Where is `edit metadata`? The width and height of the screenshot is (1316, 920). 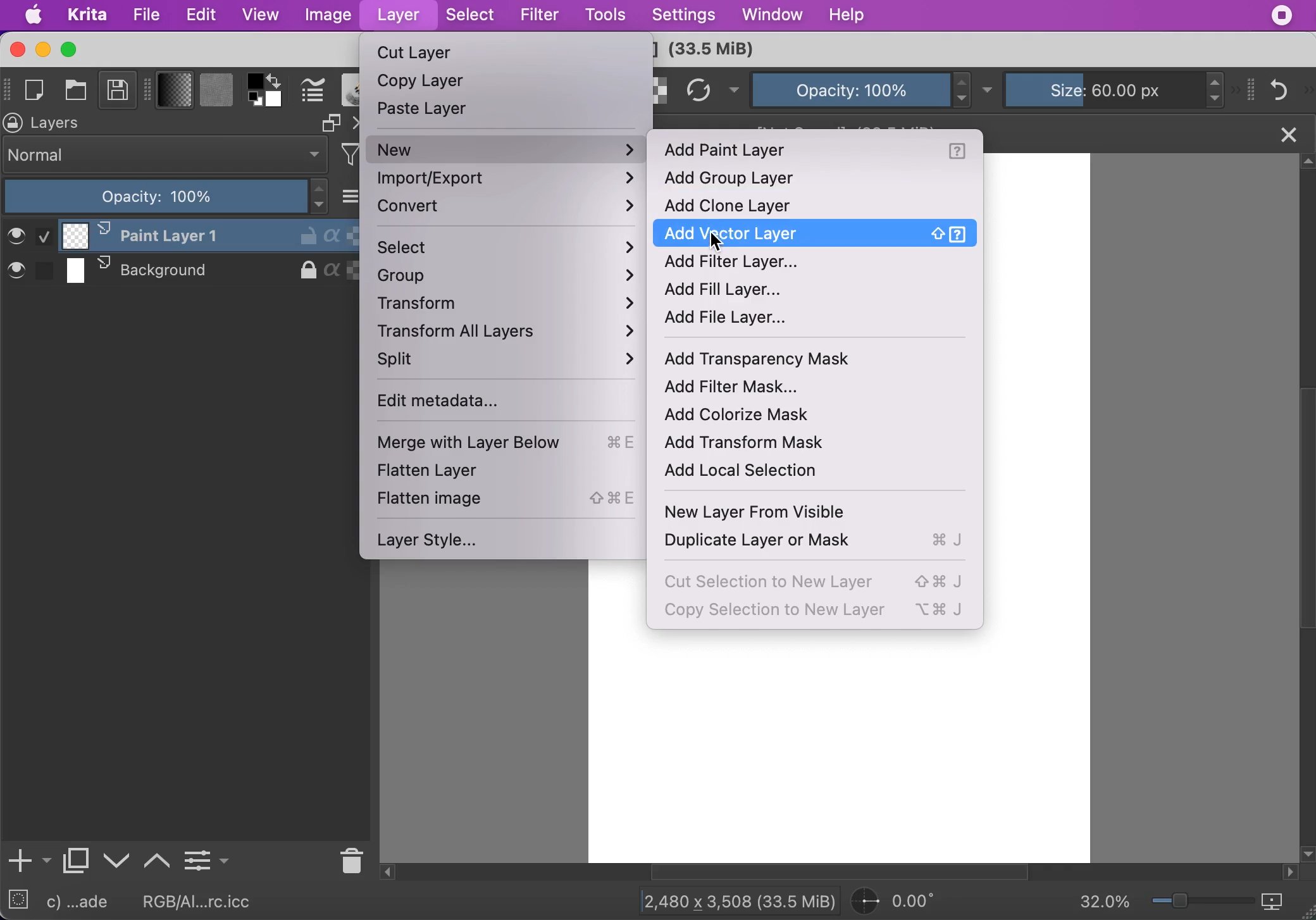 edit metadata is located at coordinates (466, 404).